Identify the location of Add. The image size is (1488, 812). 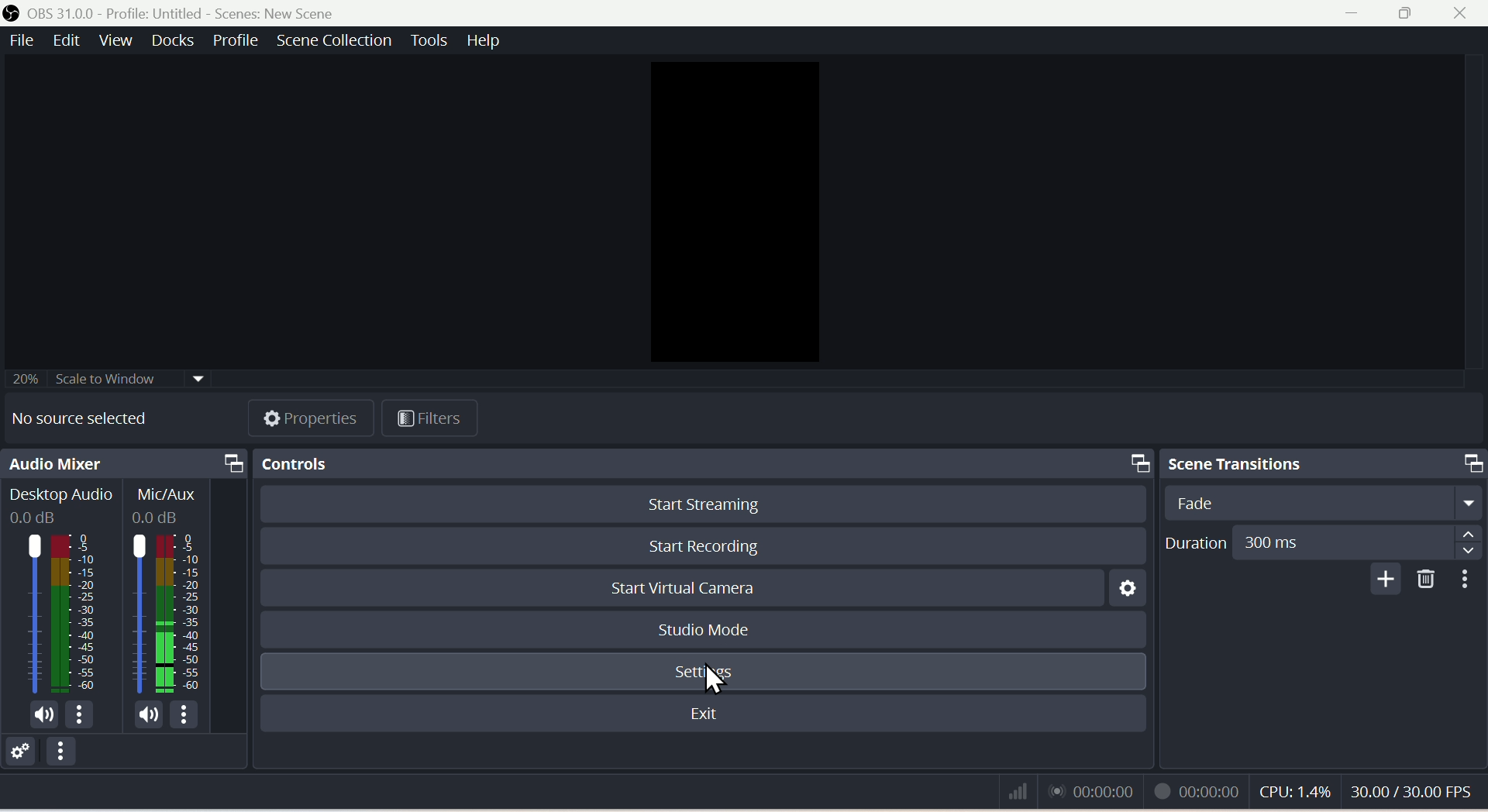
(1381, 580).